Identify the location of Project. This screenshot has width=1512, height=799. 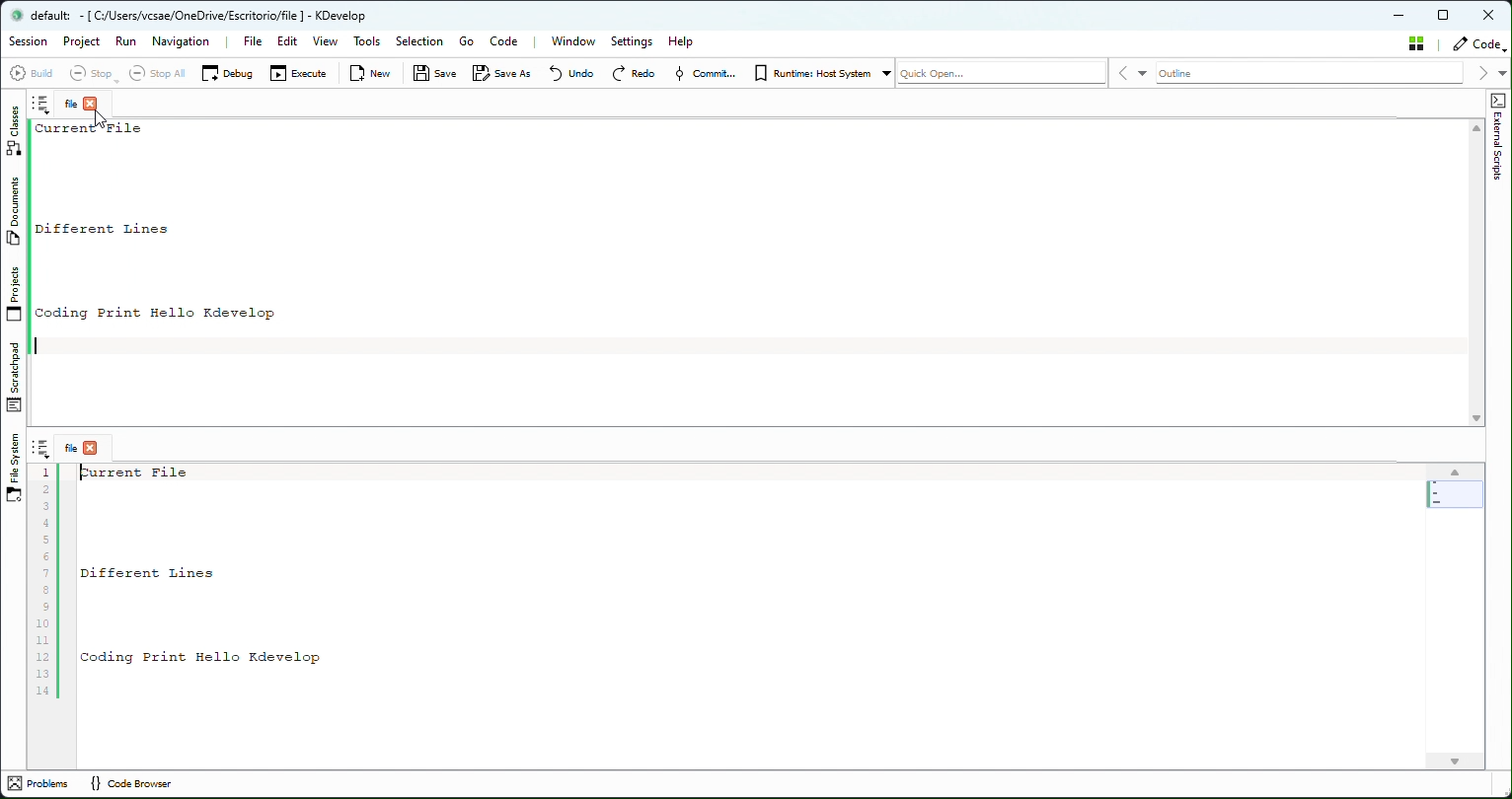
(82, 41).